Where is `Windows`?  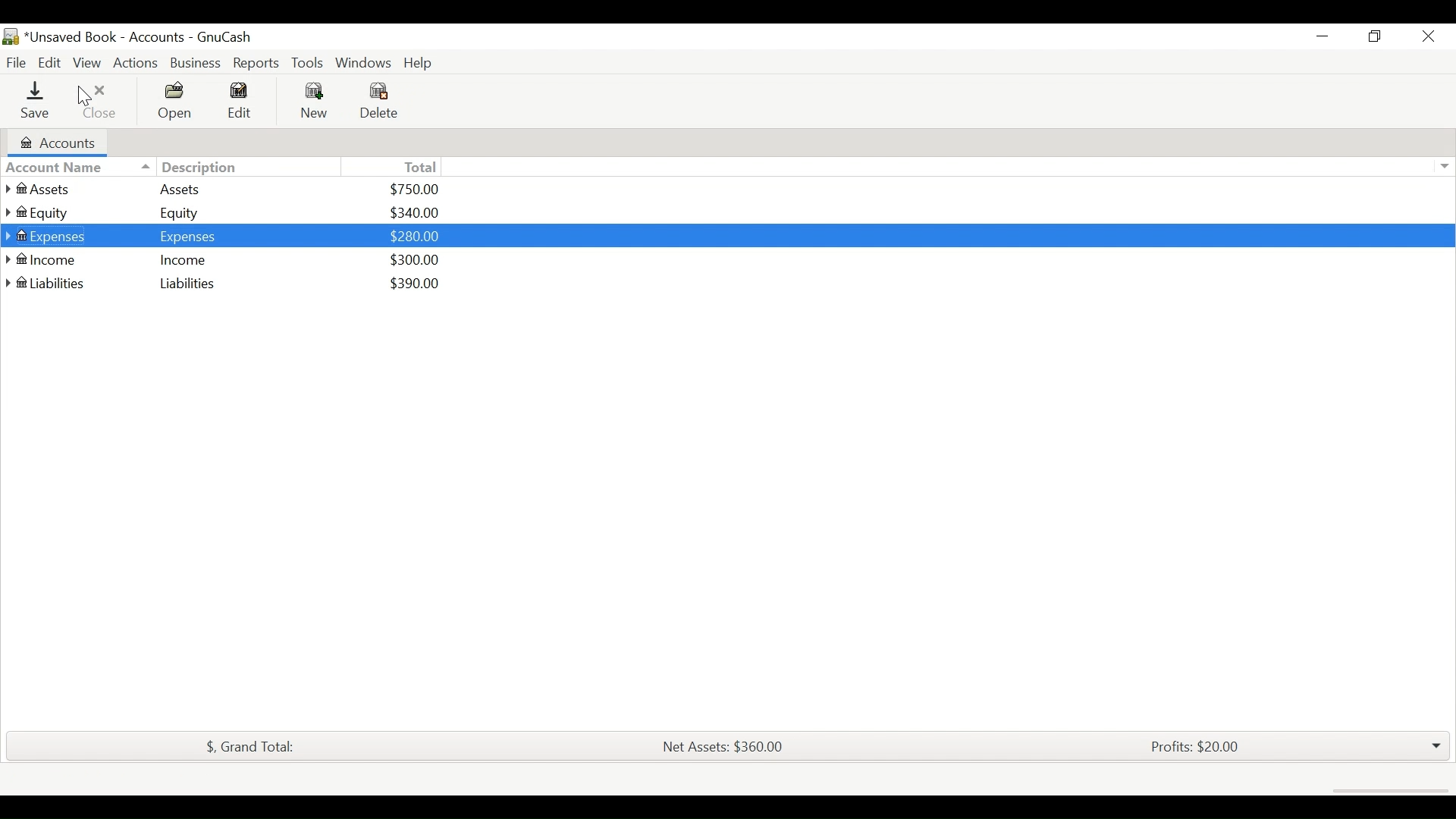
Windows is located at coordinates (363, 63).